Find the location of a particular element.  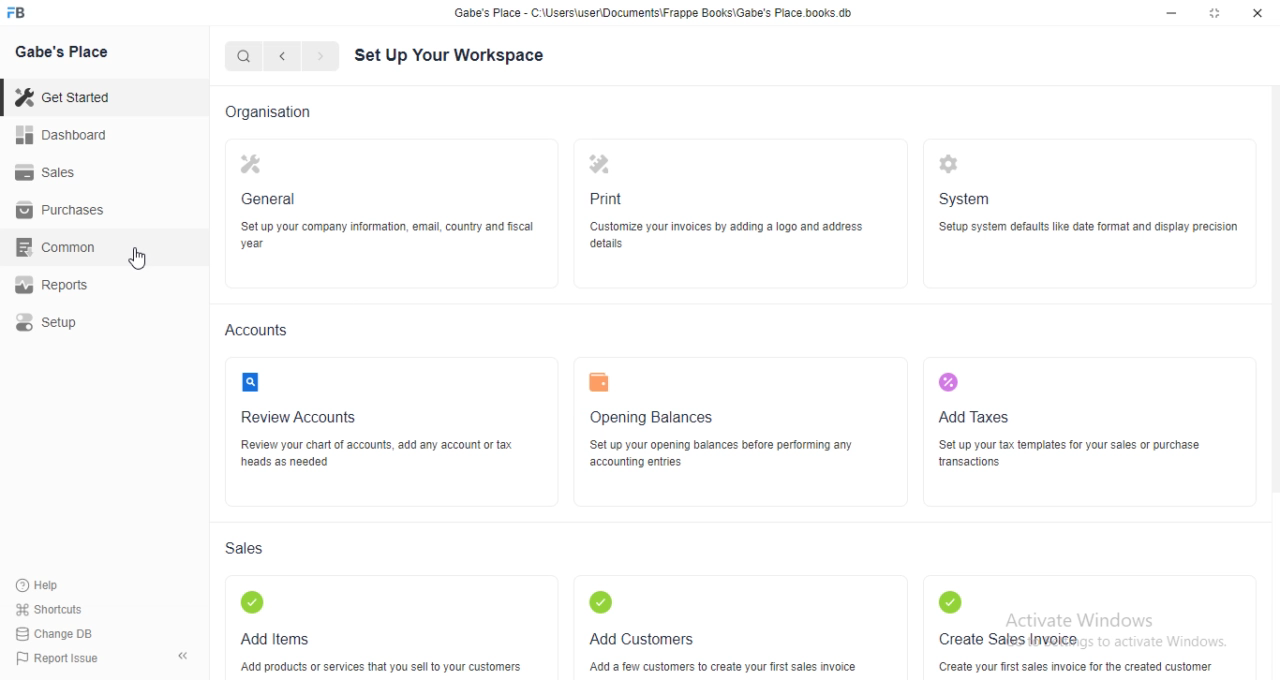

‘Common is located at coordinates (59, 245).